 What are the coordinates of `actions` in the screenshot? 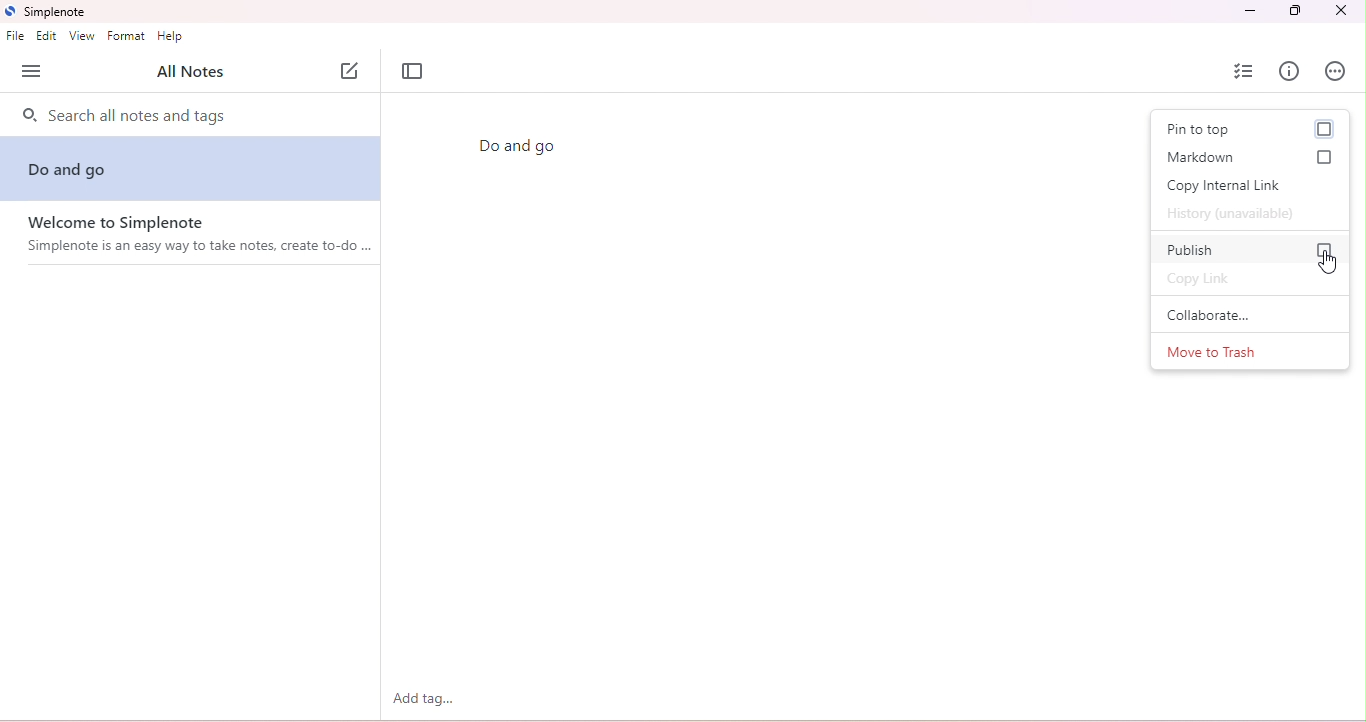 It's located at (1337, 70).